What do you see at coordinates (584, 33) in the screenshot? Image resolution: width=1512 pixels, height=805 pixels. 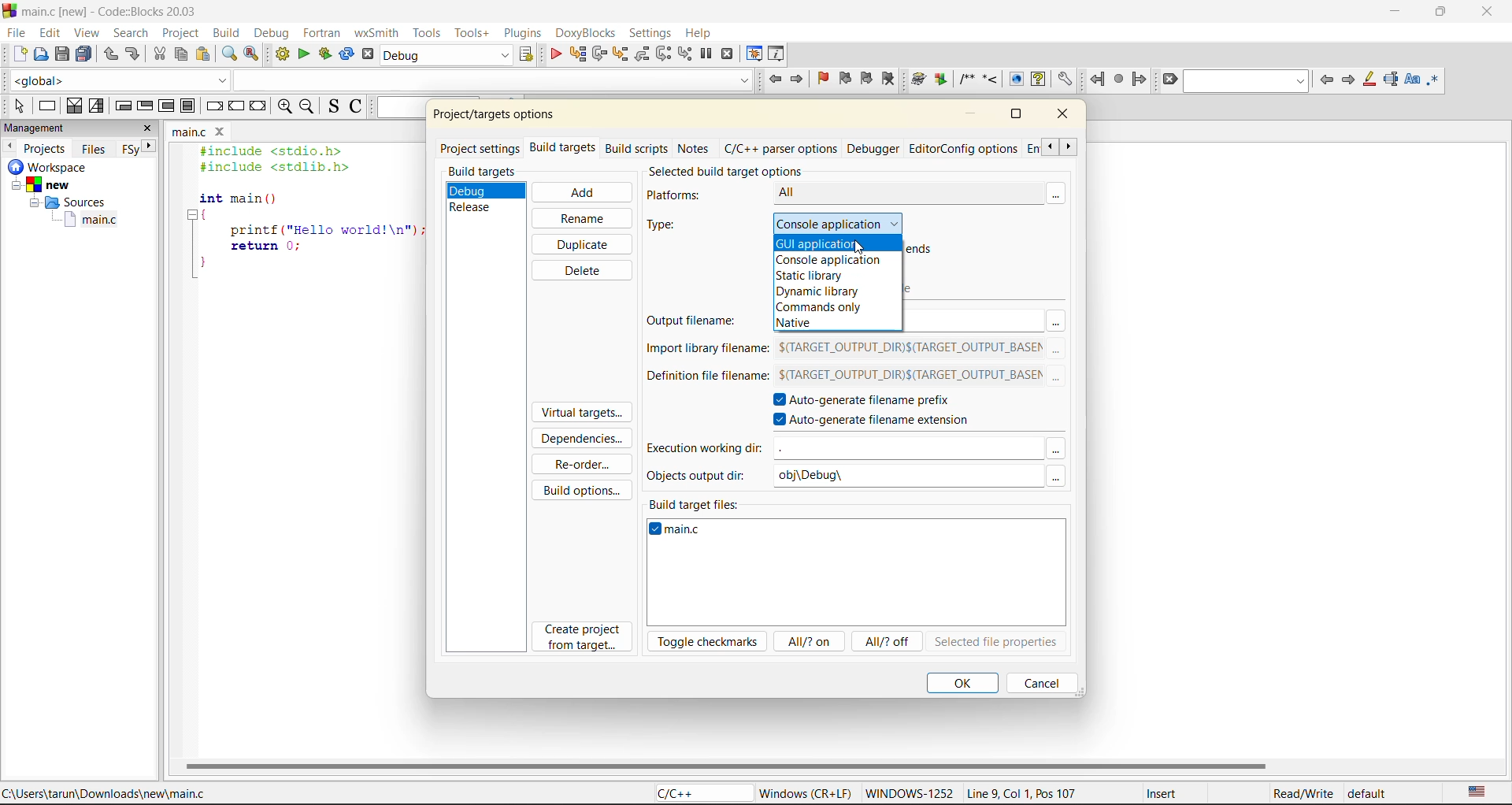 I see `doxyblocks` at bounding box center [584, 33].